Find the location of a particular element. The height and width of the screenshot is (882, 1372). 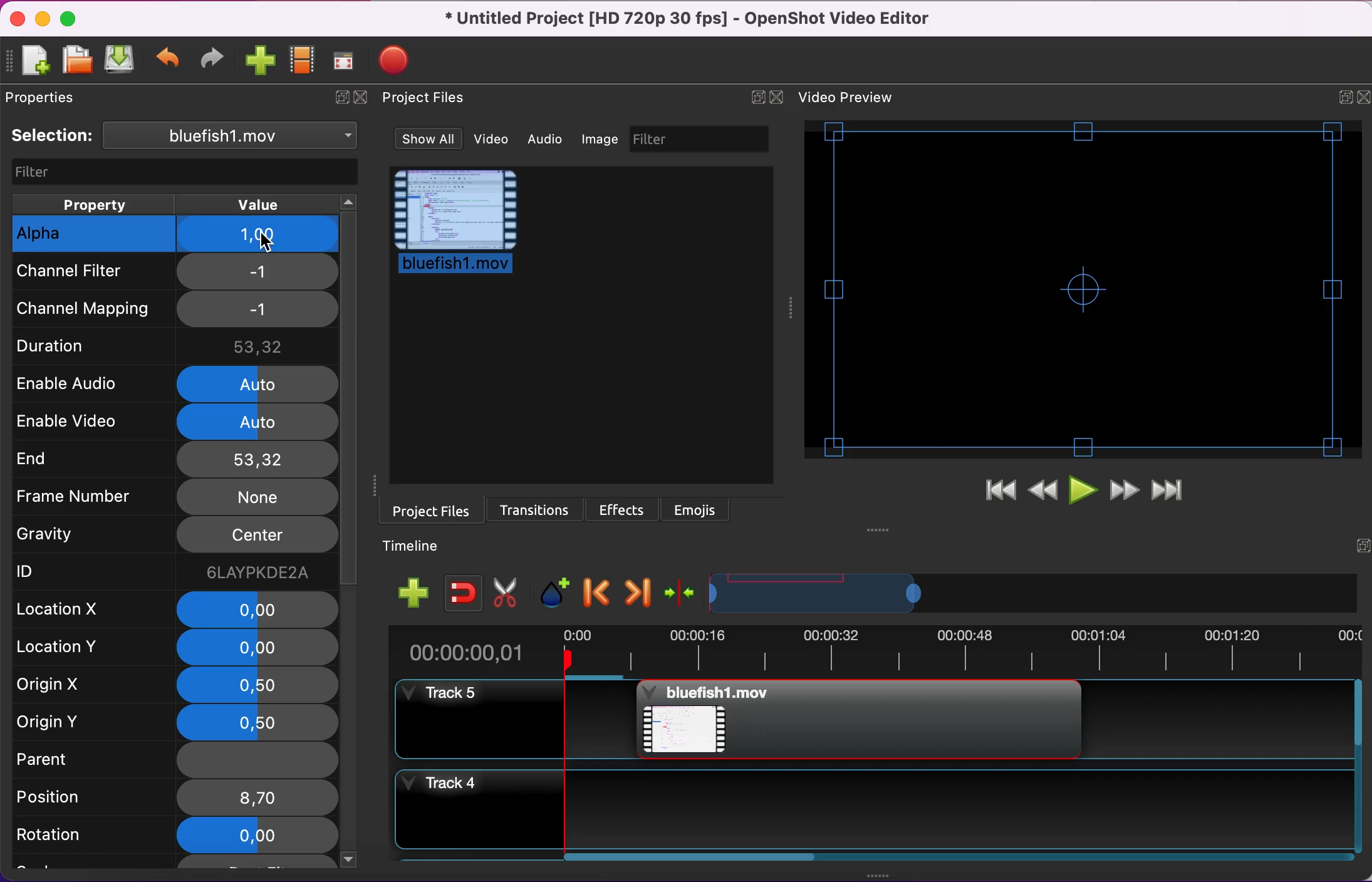

import files is located at coordinates (259, 60).